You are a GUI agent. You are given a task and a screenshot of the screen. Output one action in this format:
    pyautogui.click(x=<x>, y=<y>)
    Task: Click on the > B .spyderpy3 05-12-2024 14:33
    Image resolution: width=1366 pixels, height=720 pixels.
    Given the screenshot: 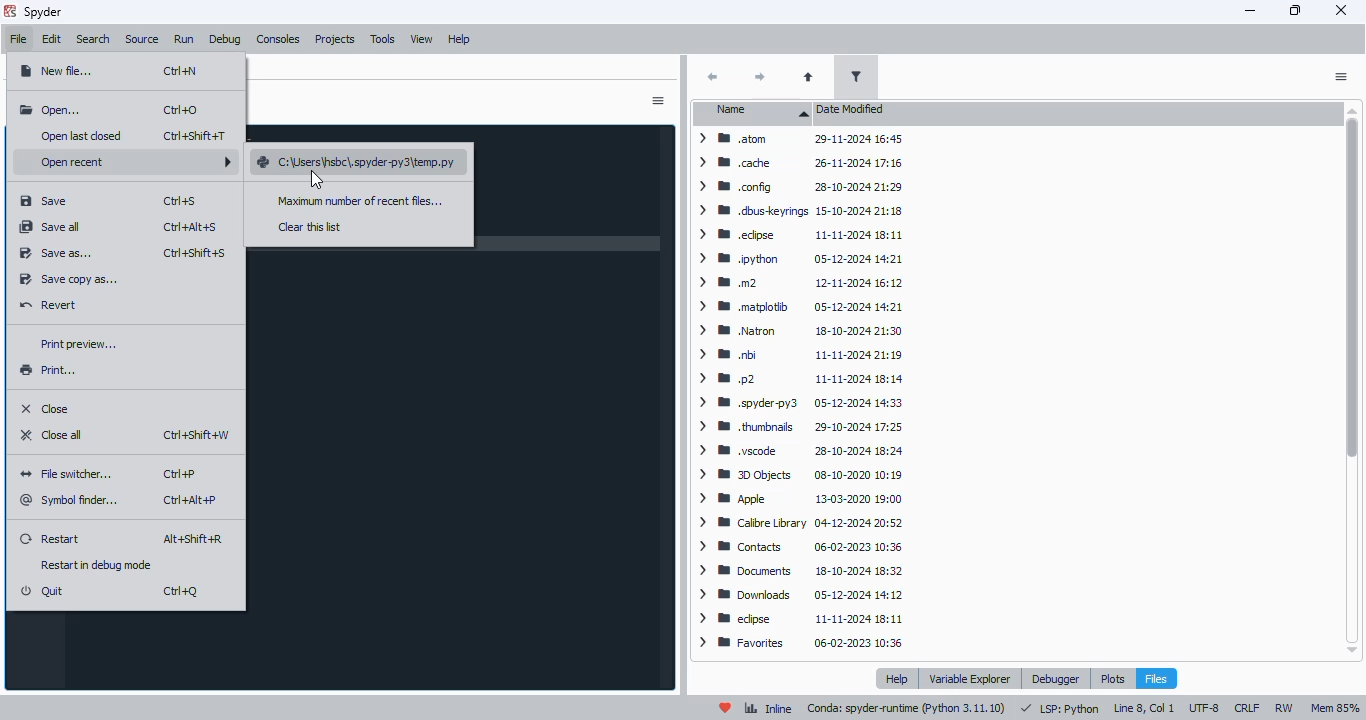 What is the action you would take?
    pyautogui.click(x=797, y=401)
    